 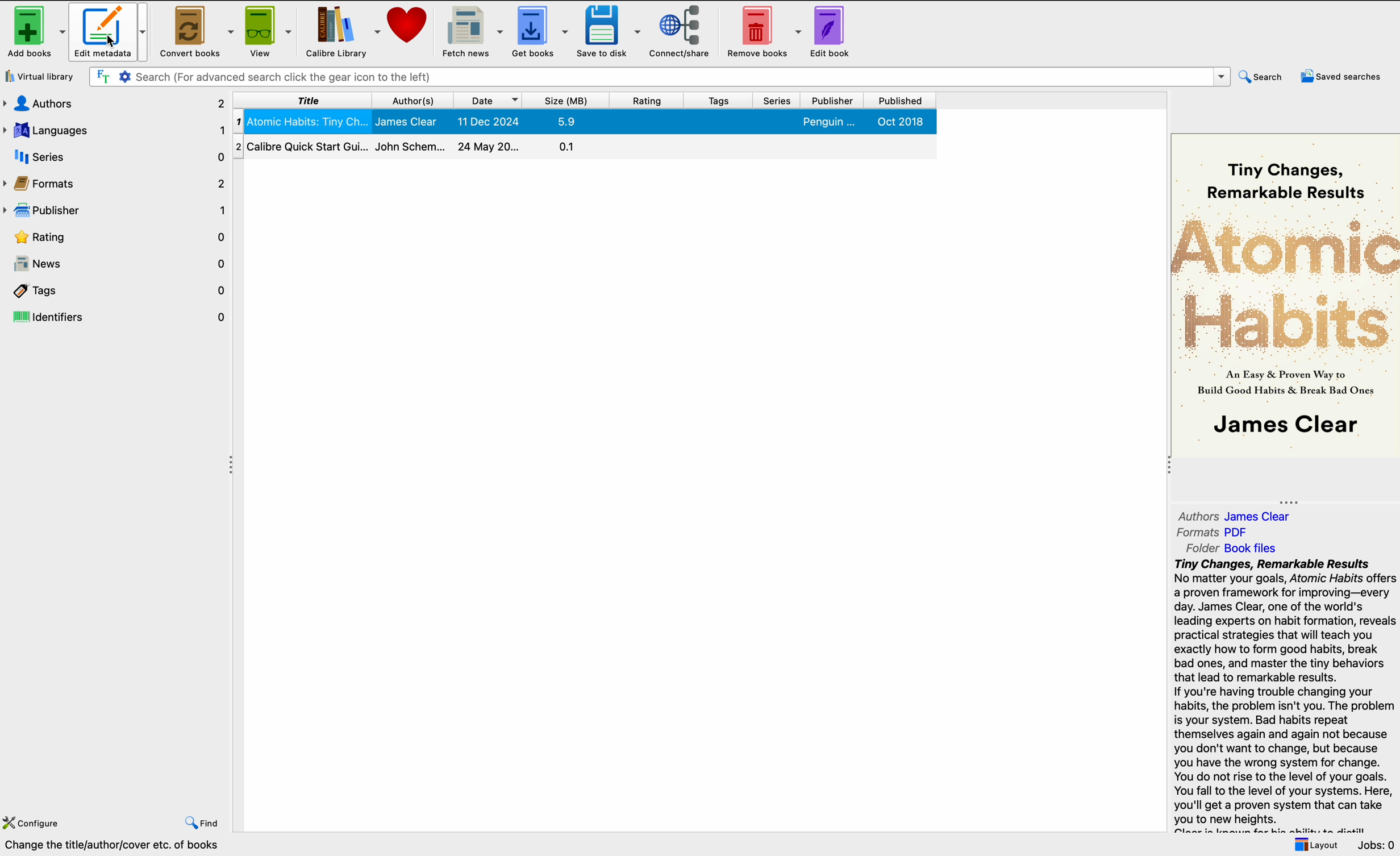 I want to click on series, so click(x=778, y=101).